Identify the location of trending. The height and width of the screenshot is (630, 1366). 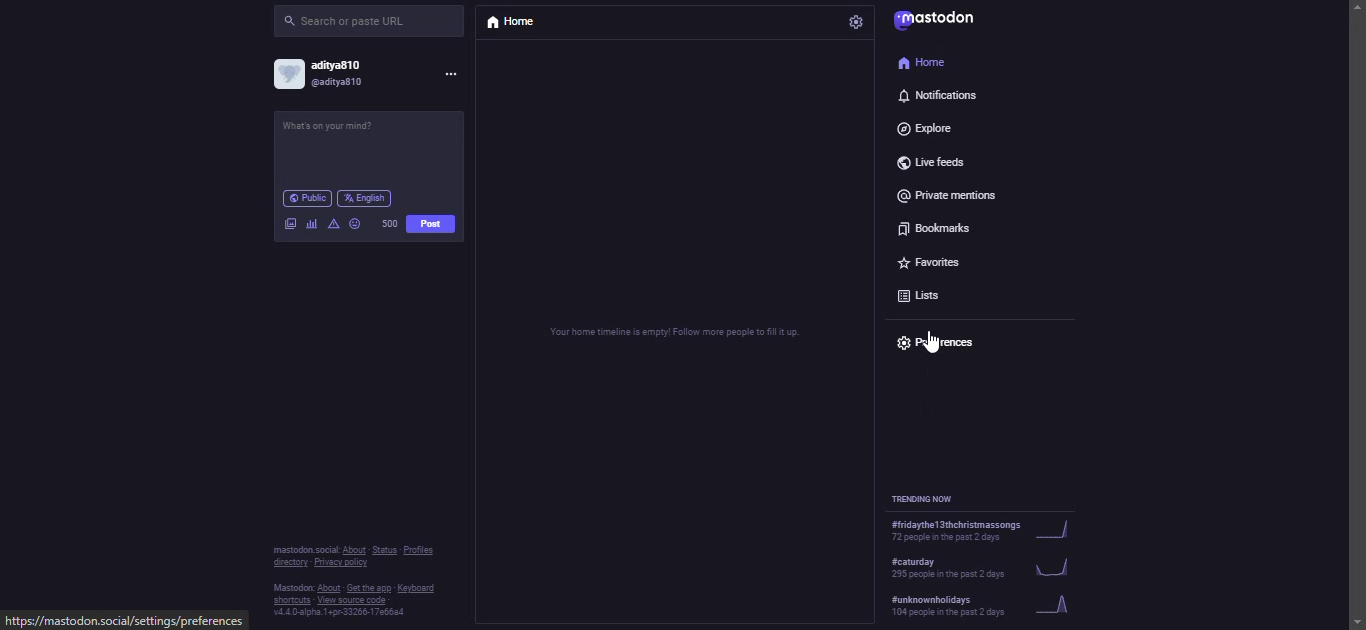
(975, 535).